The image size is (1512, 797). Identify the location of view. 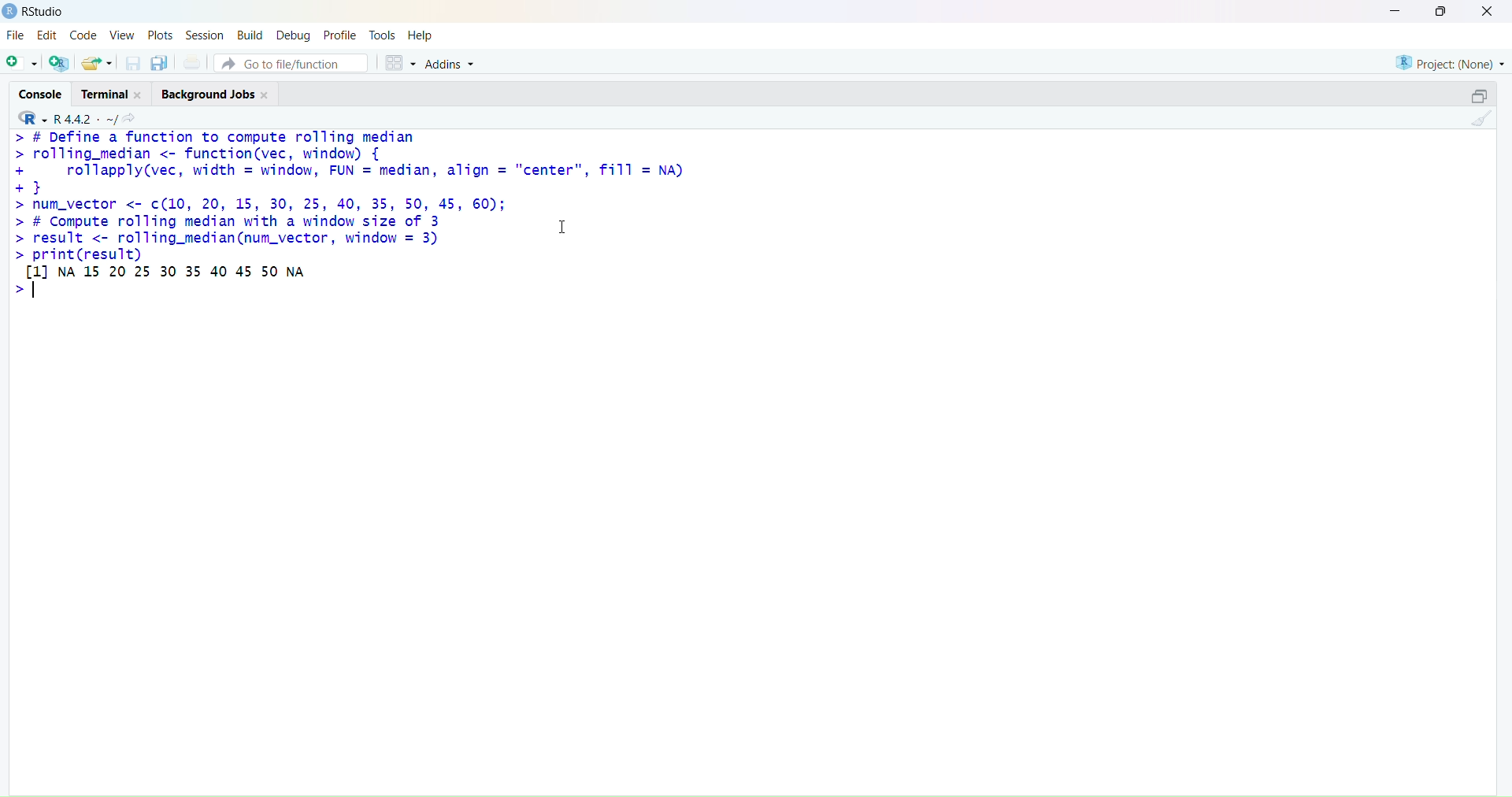
(122, 36).